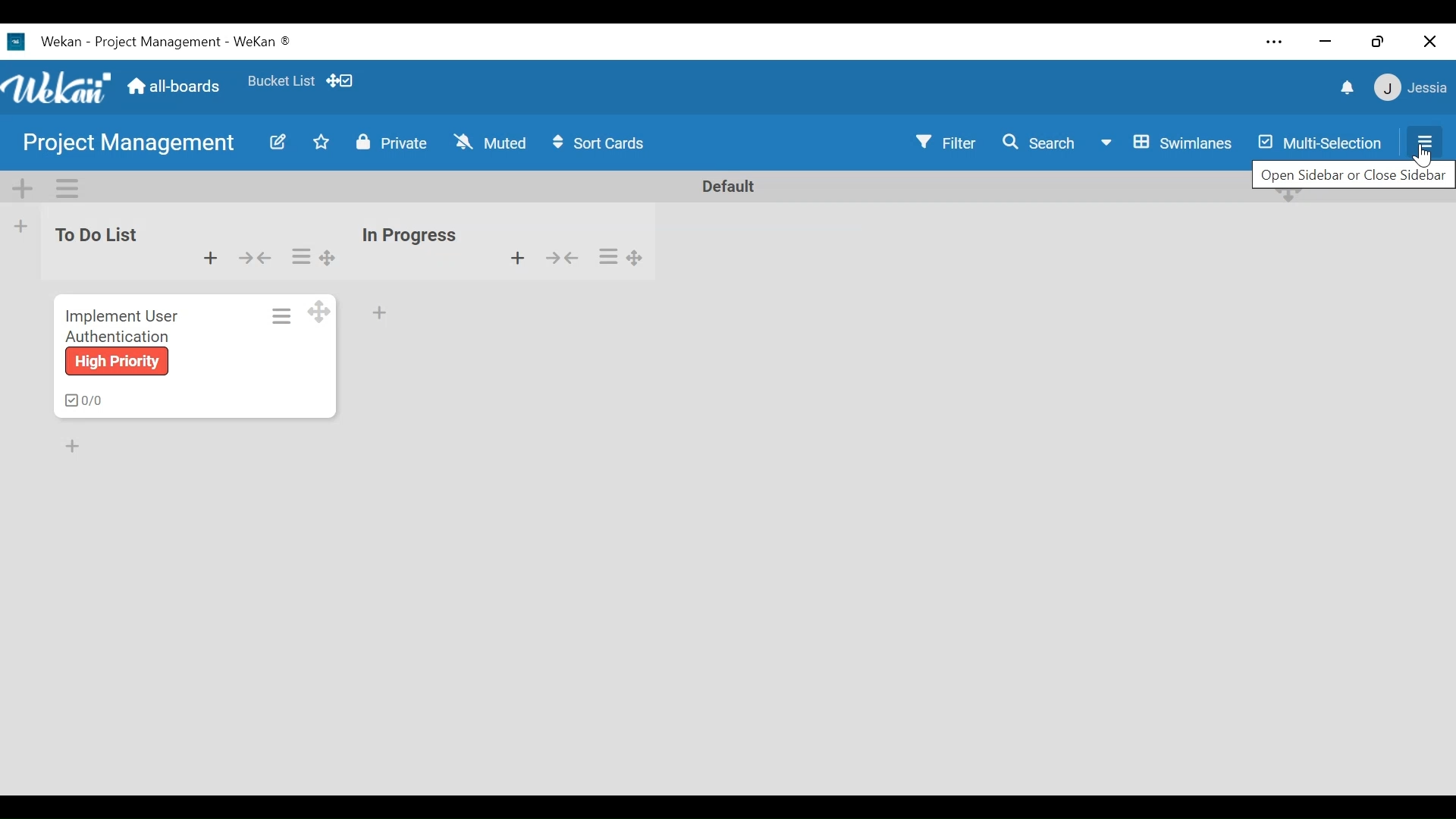 This screenshot has height=819, width=1456. Describe the element at coordinates (281, 315) in the screenshot. I see `Card actions` at that location.